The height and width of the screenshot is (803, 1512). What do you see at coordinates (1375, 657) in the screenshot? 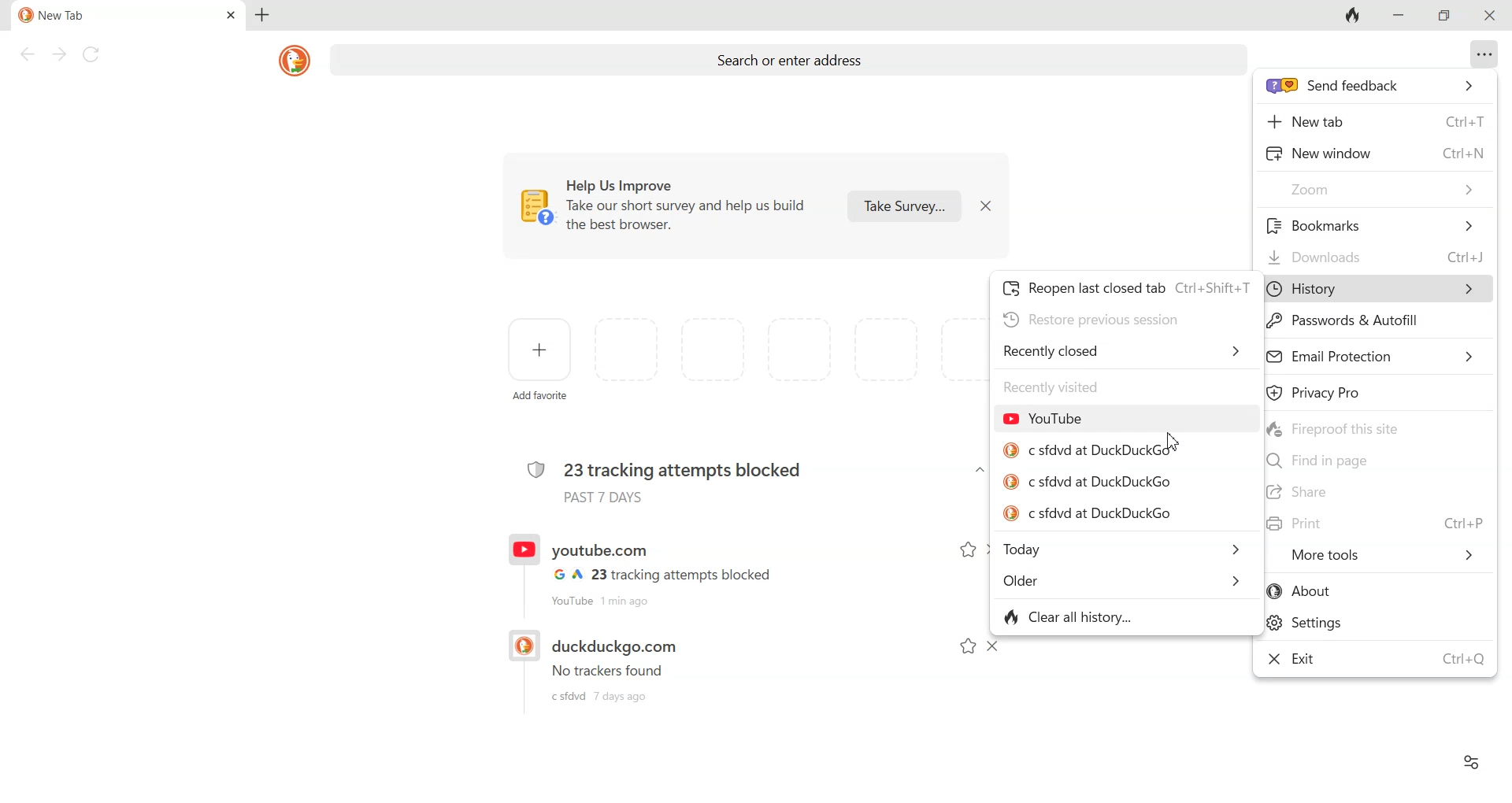
I see `Exit` at bounding box center [1375, 657].